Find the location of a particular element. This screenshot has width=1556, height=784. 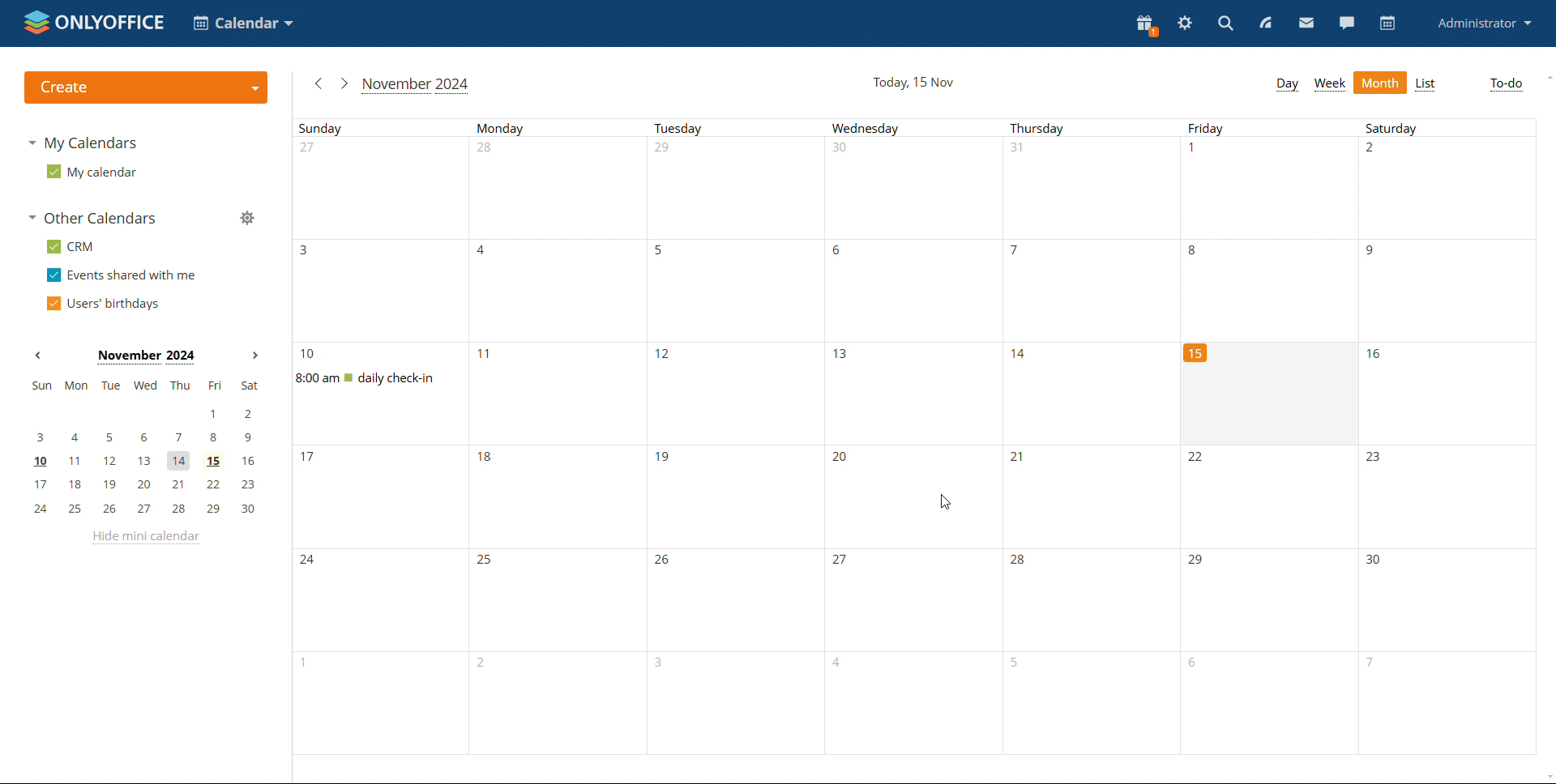

 is located at coordinates (488, 561).